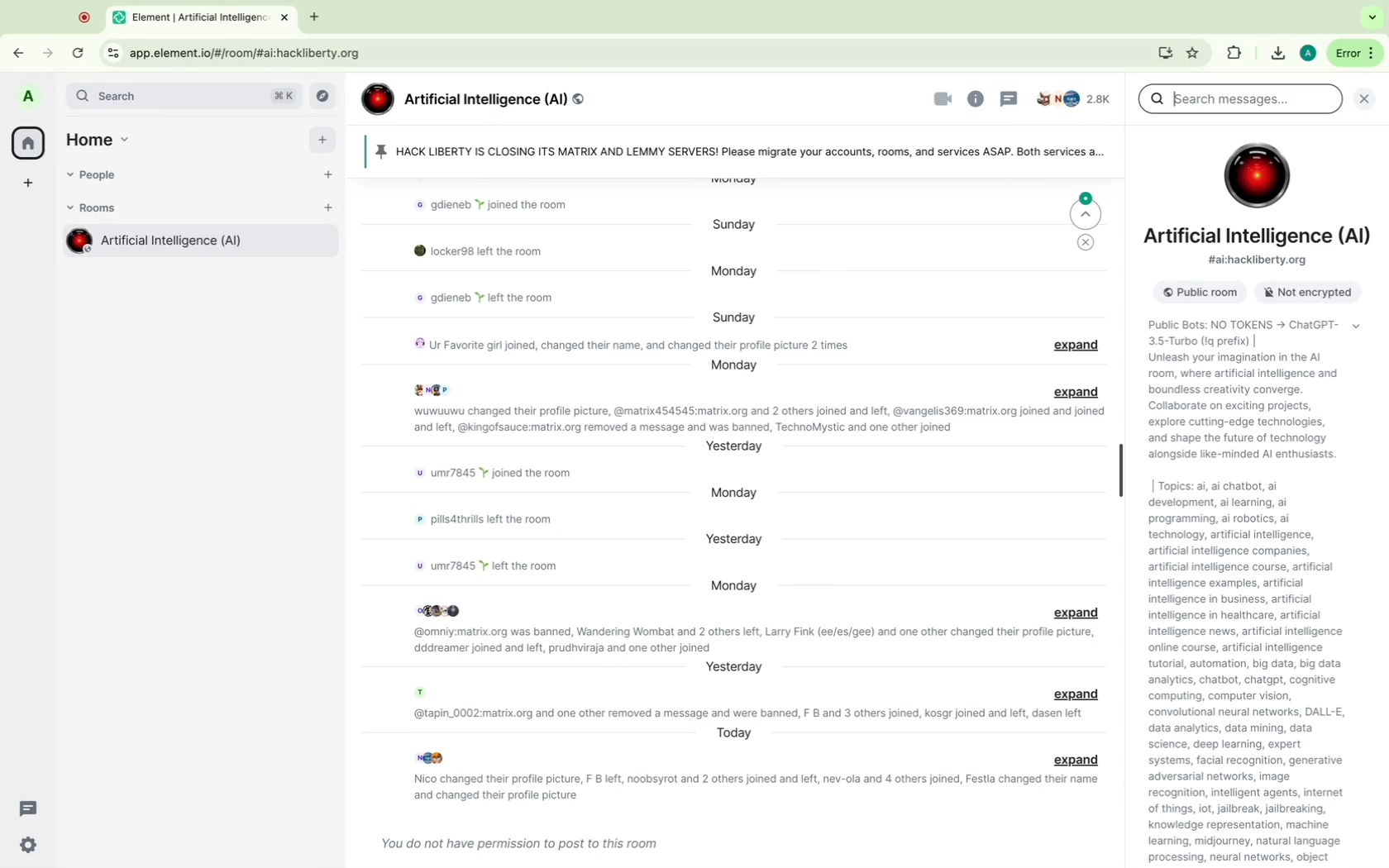 Image resolution: width=1389 pixels, height=868 pixels. Describe the element at coordinates (1087, 210) in the screenshot. I see `jump to first unread message` at that location.